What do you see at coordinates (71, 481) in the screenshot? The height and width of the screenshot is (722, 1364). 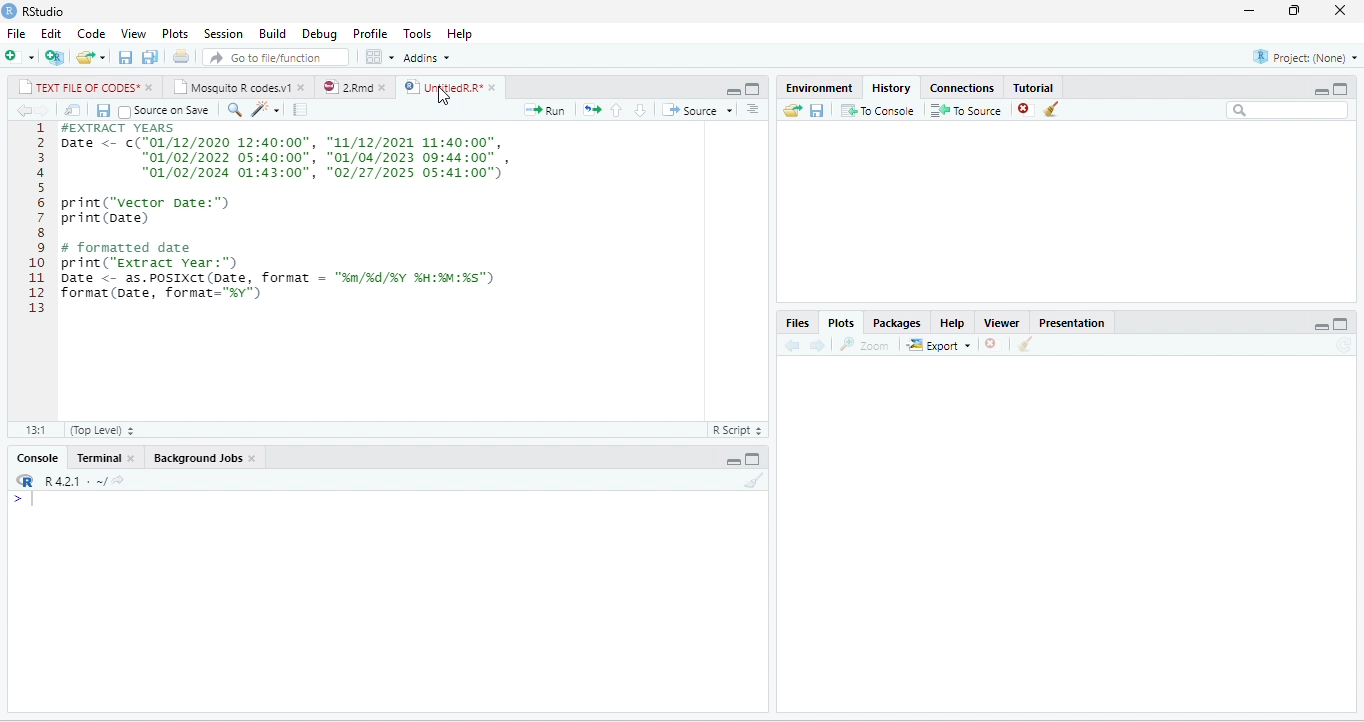 I see `R 4.2.1 .~/` at bounding box center [71, 481].